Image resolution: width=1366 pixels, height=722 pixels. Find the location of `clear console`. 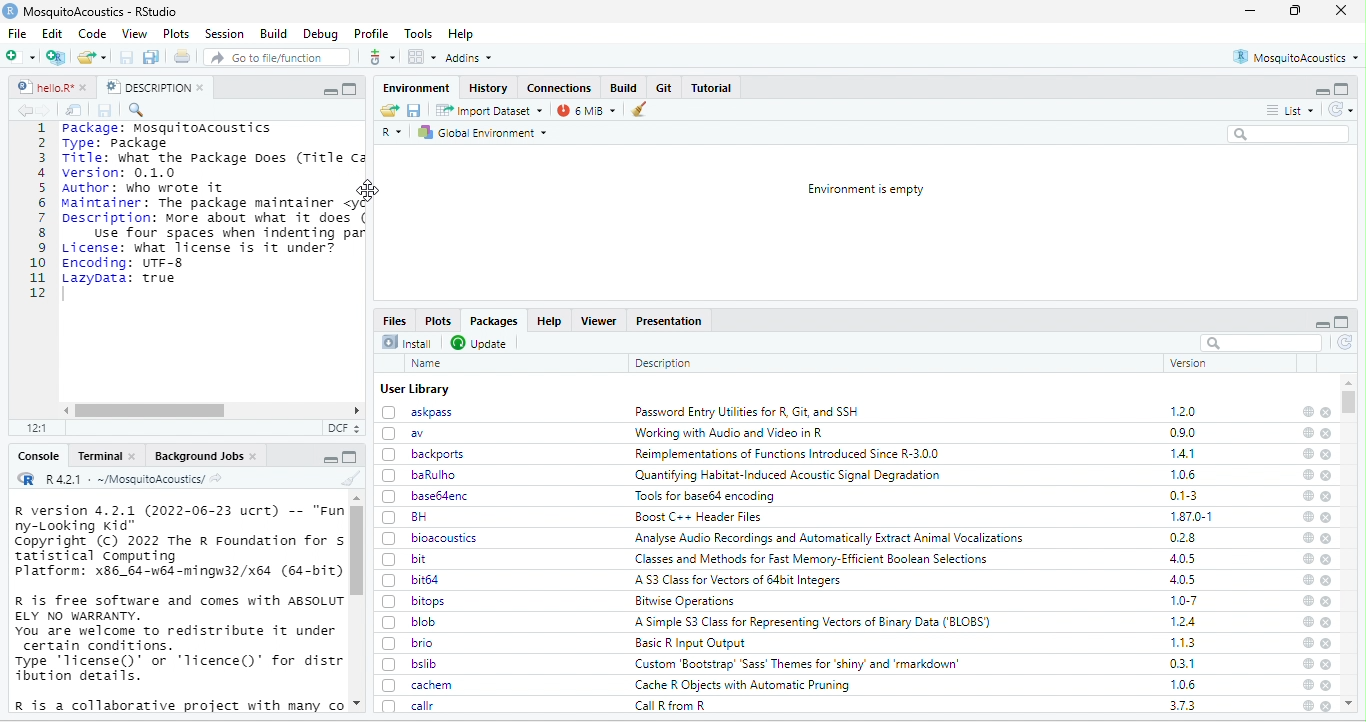

clear console is located at coordinates (350, 478).